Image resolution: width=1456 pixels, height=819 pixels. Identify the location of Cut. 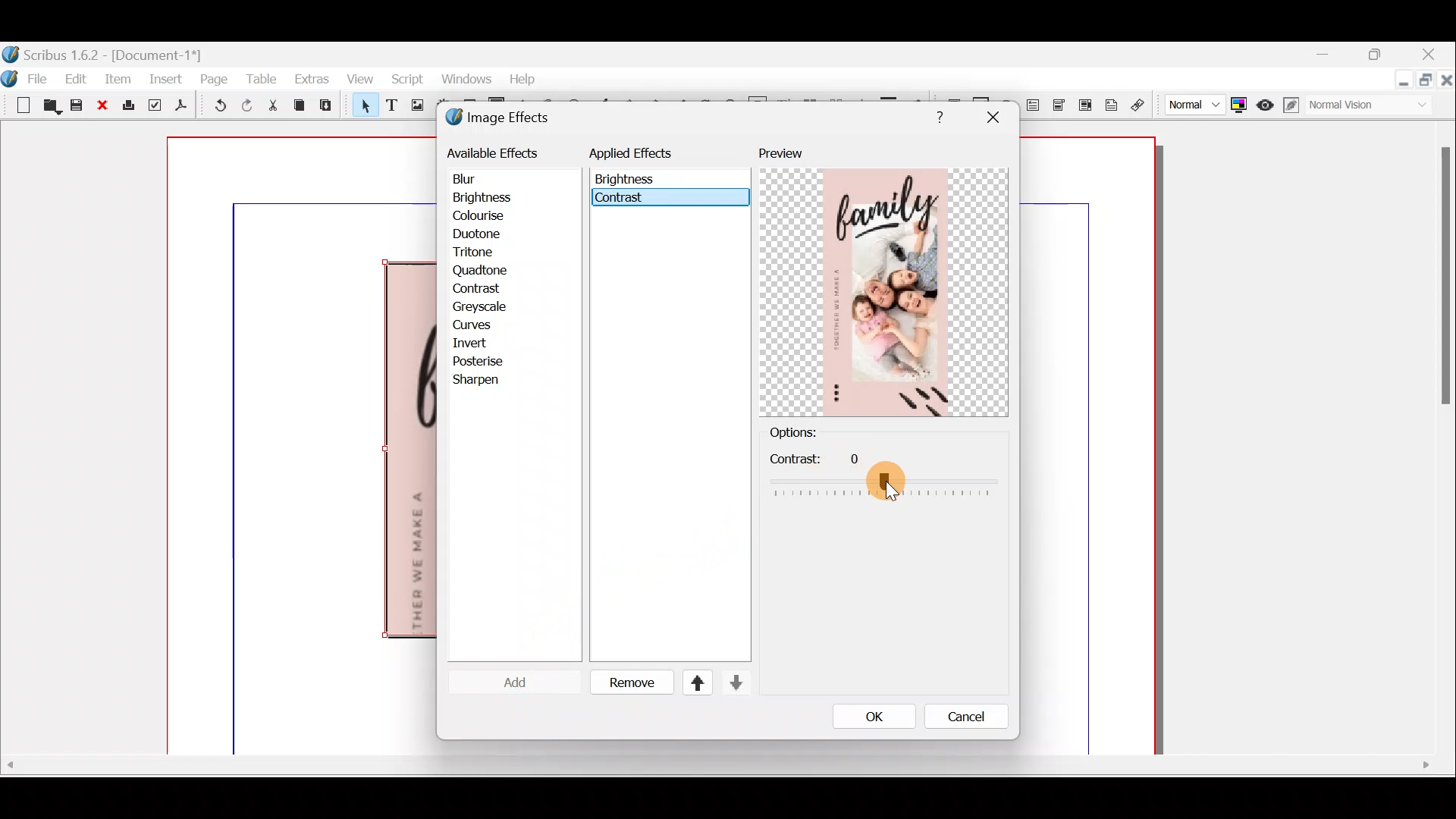
(272, 108).